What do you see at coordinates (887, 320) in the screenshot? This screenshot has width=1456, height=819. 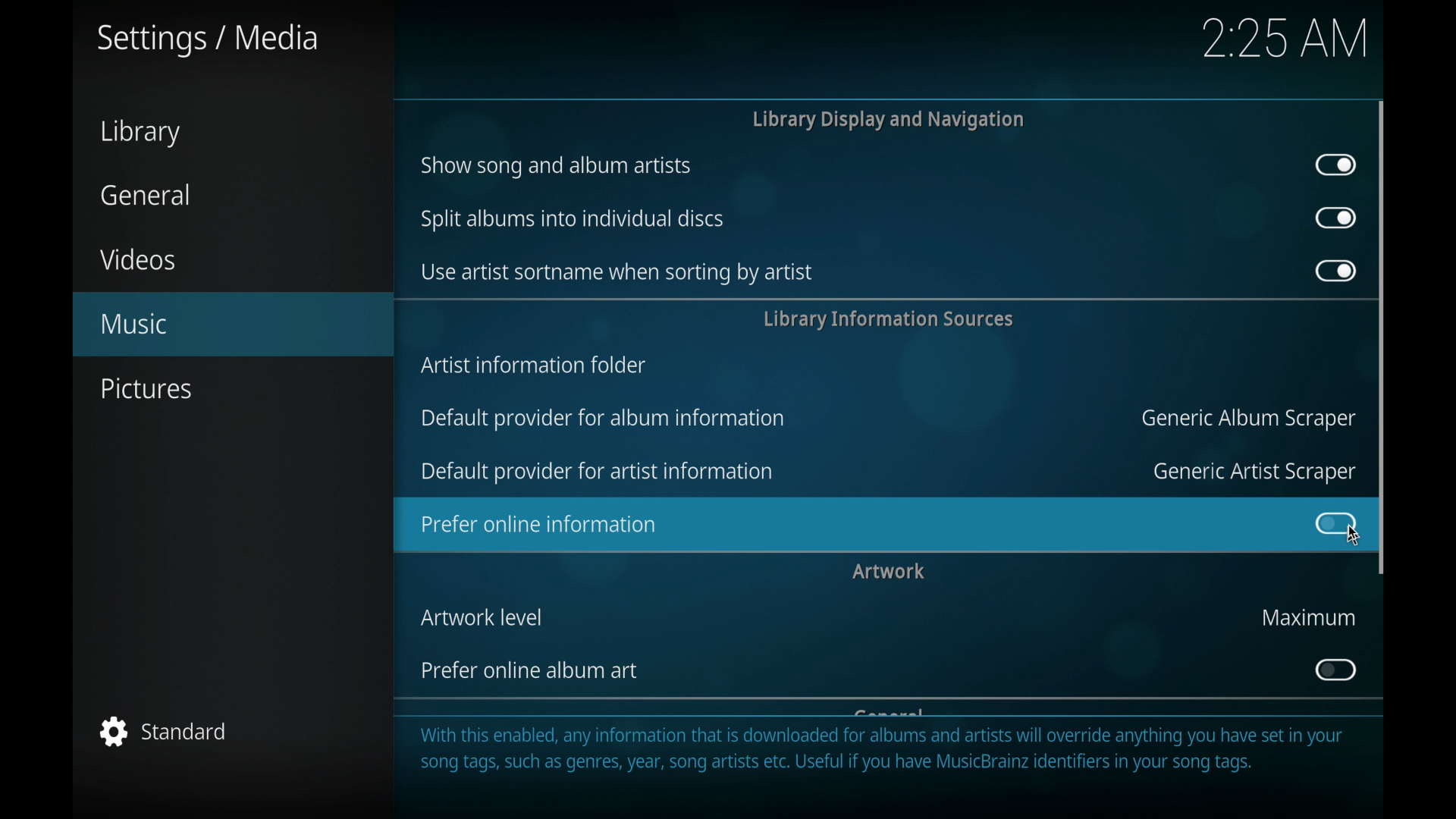 I see `library information services` at bounding box center [887, 320].